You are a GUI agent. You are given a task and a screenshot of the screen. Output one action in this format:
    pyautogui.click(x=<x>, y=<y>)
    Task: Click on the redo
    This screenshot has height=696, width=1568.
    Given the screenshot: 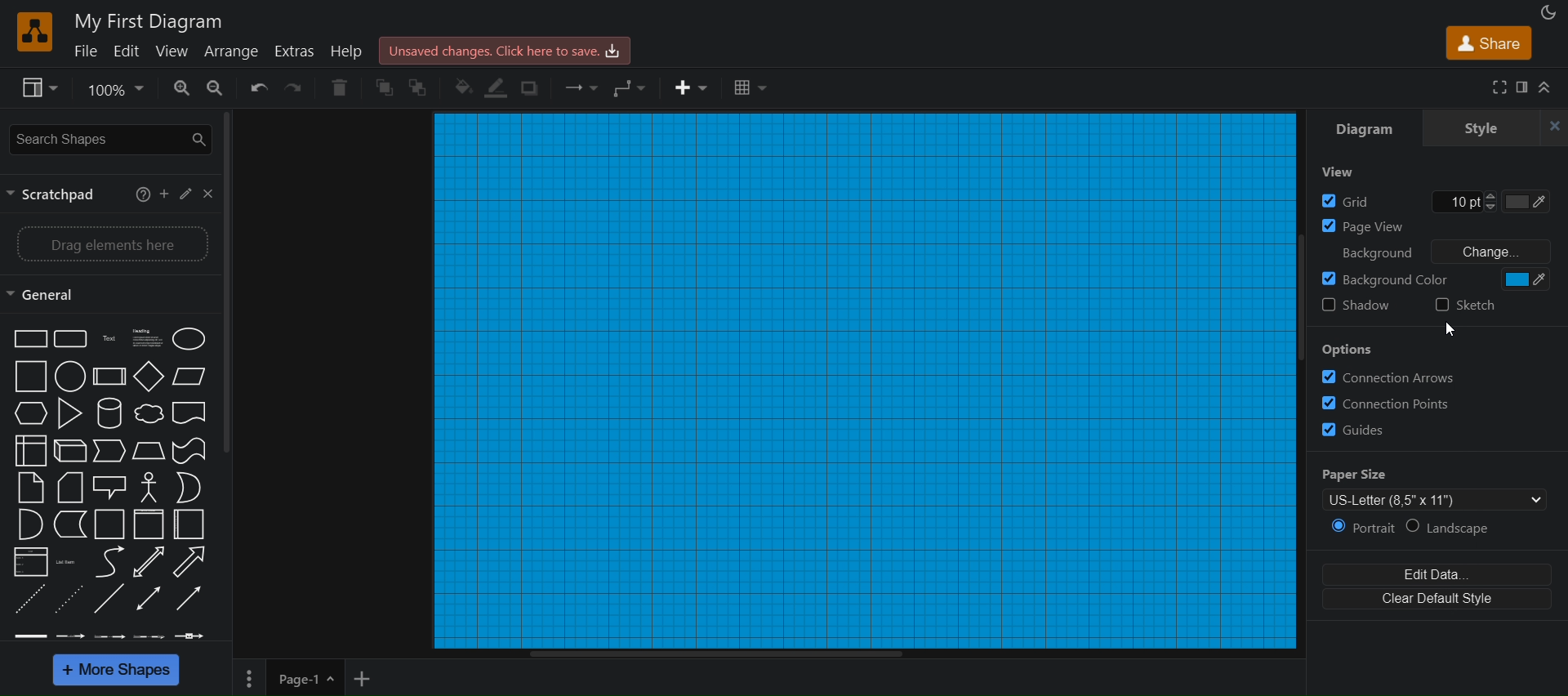 What is the action you would take?
    pyautogui.click(x=296, y=88)
    